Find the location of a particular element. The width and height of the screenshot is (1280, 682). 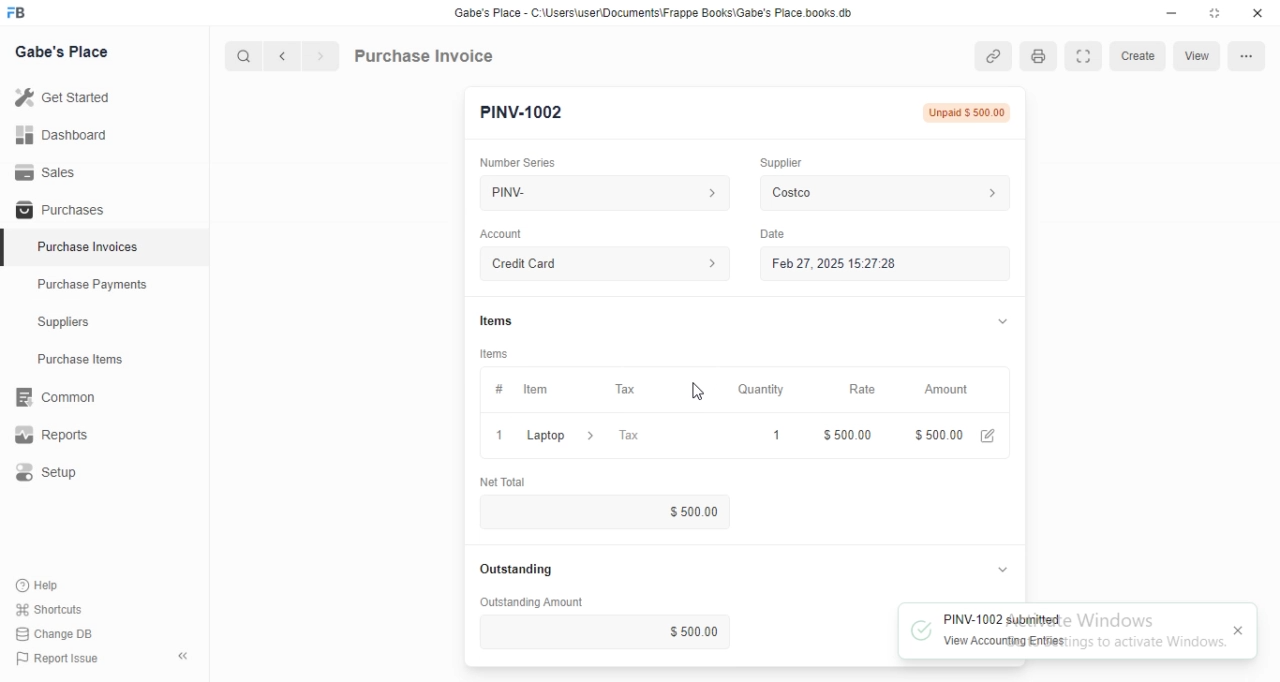

Close is located at coordinates (500, 435).